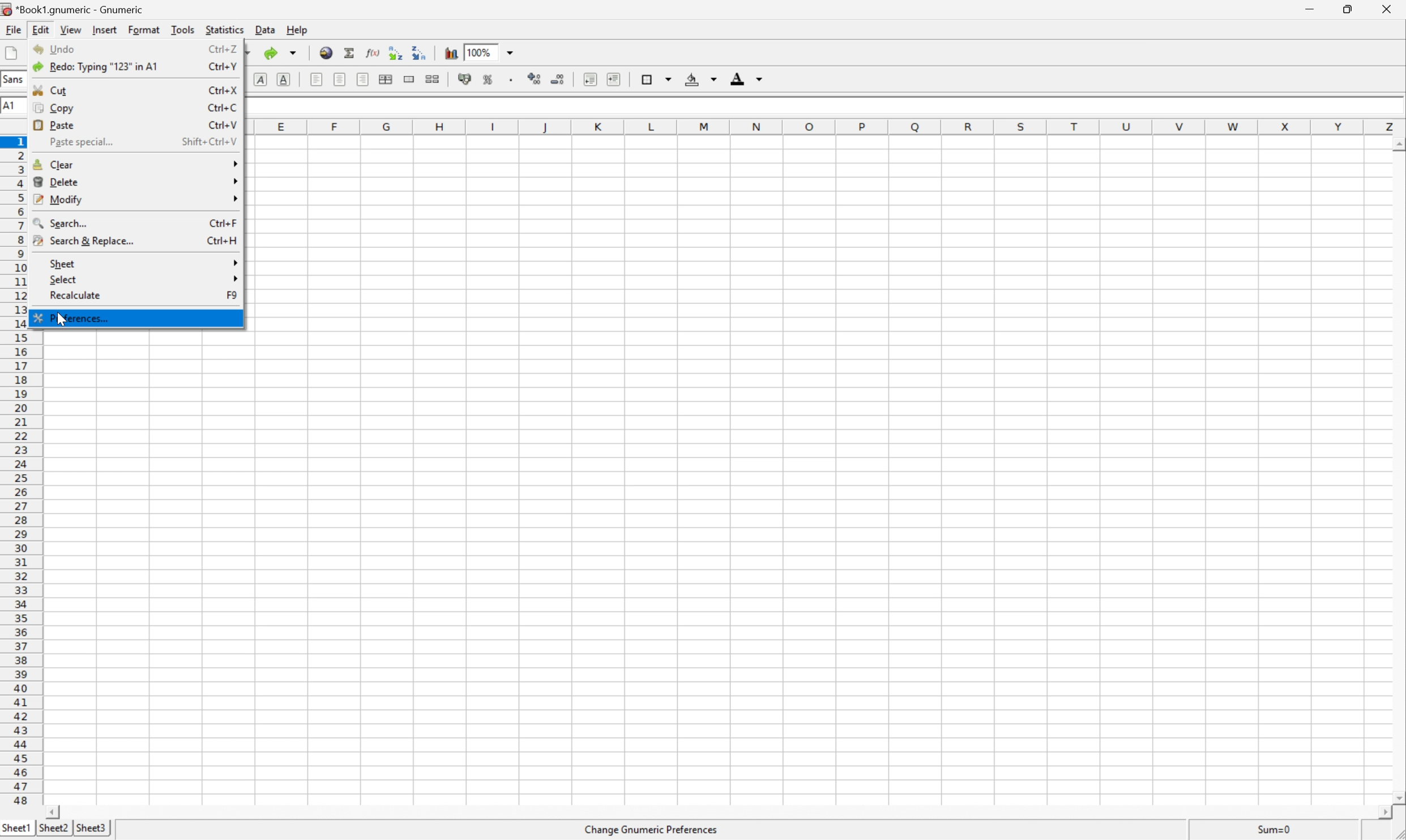 The image size is (1406, 840). Describe the element at coordinates (224, 29) in the screenshot. I see `statistics` at that location.